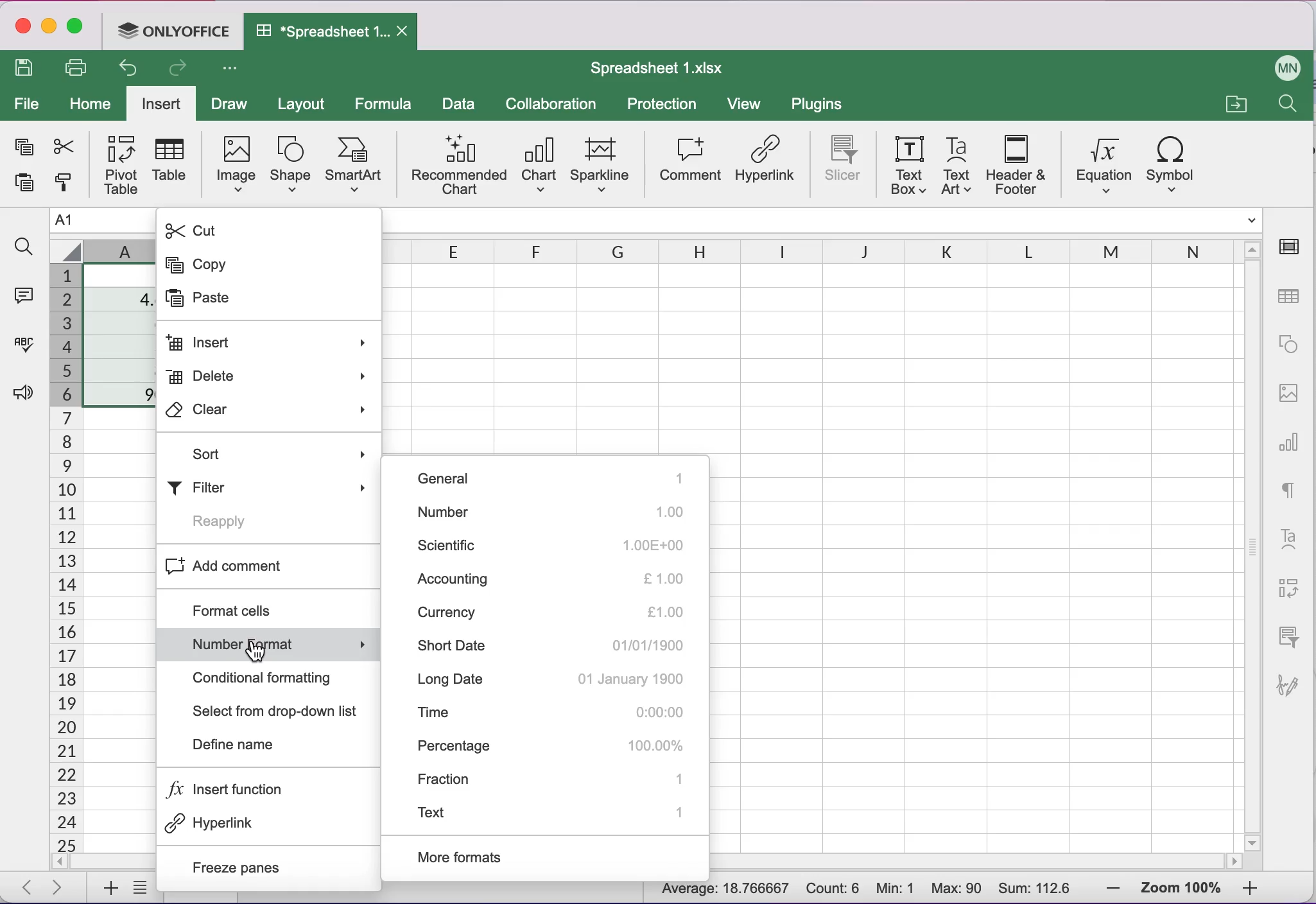 This screenshot has width=1316, height=904. I want to click on symbol, so click(1175, 164).